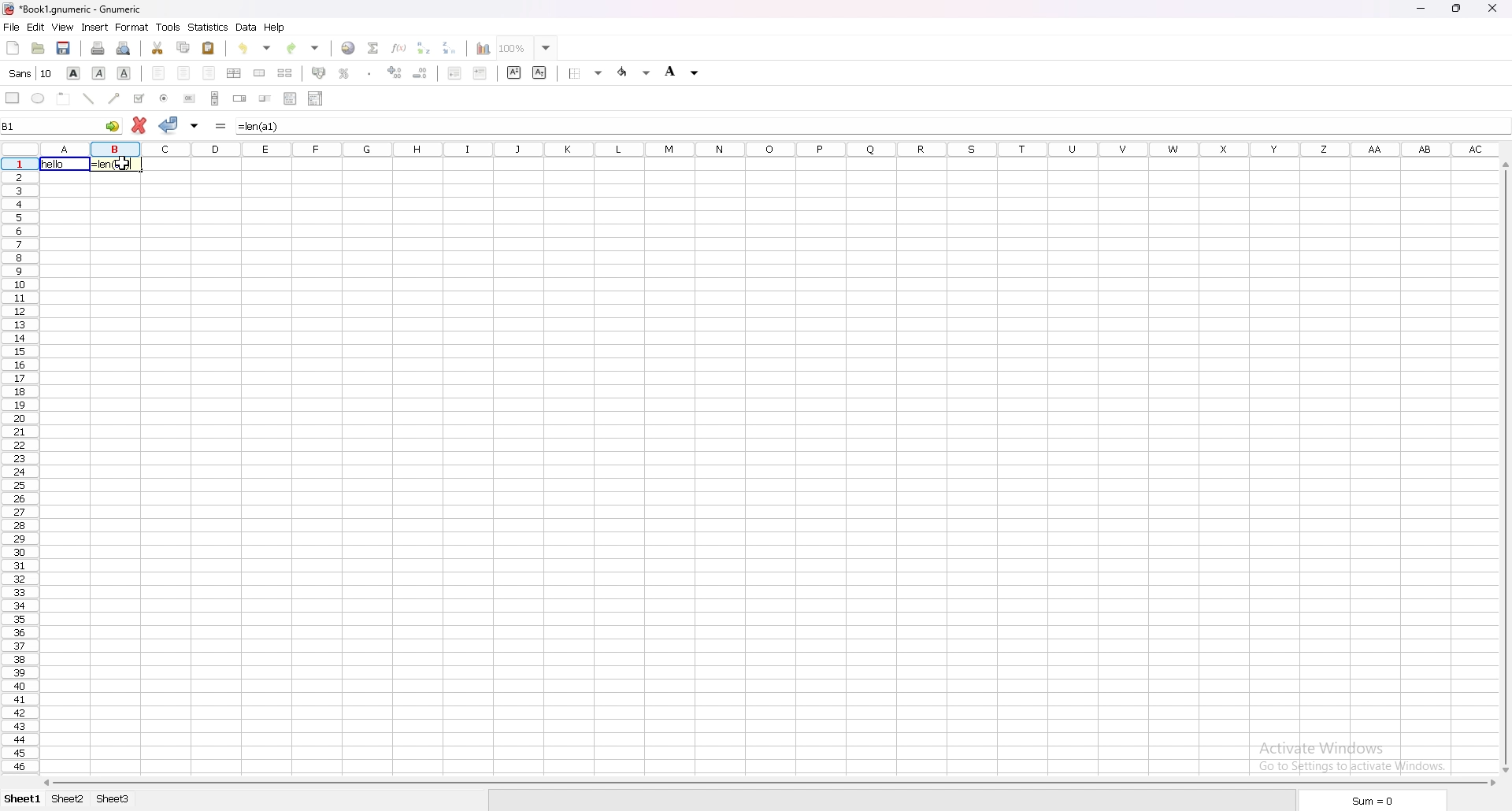  I want to click on line, so click(89, 98).